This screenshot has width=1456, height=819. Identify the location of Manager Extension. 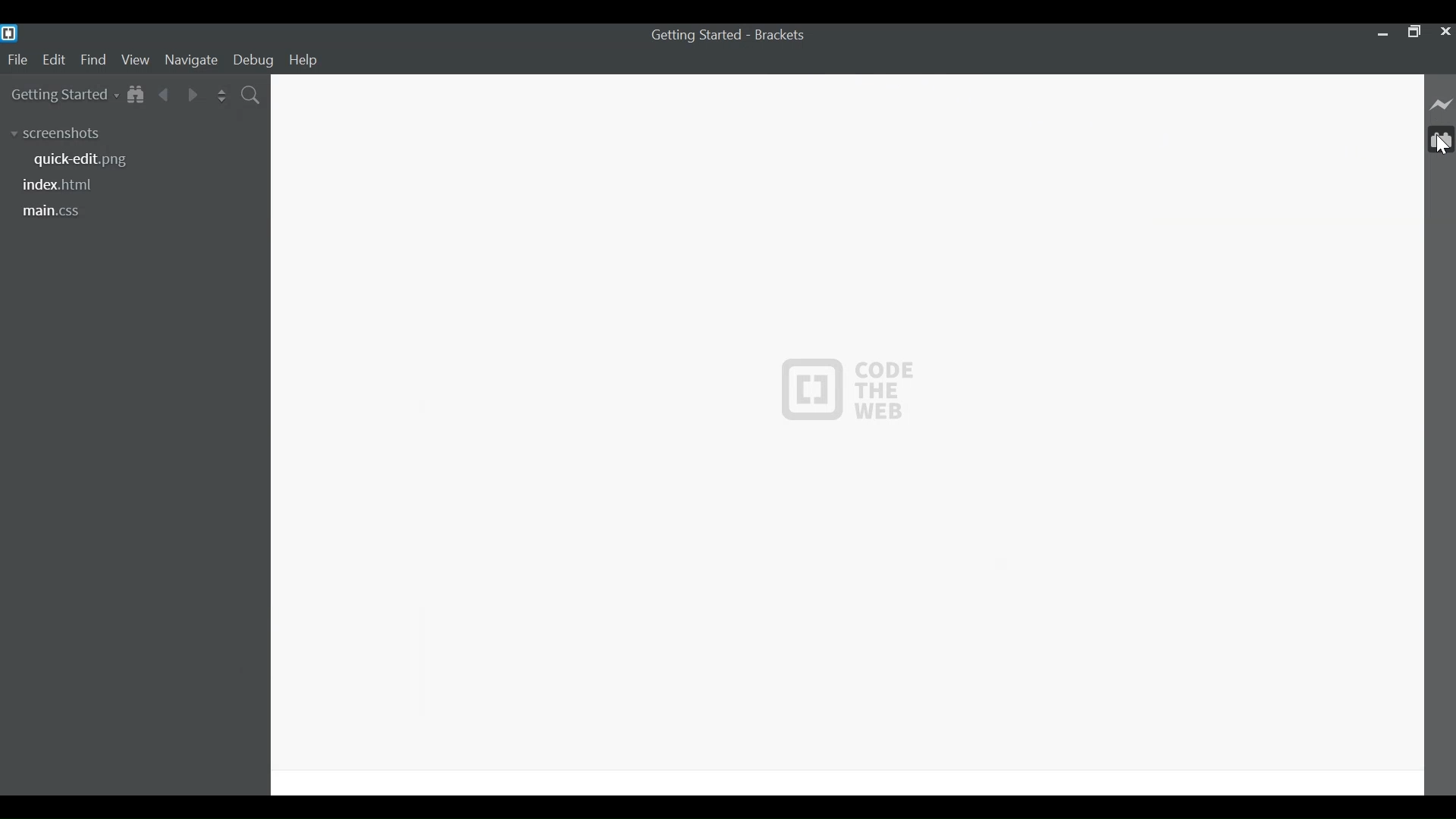
(1439, 140).